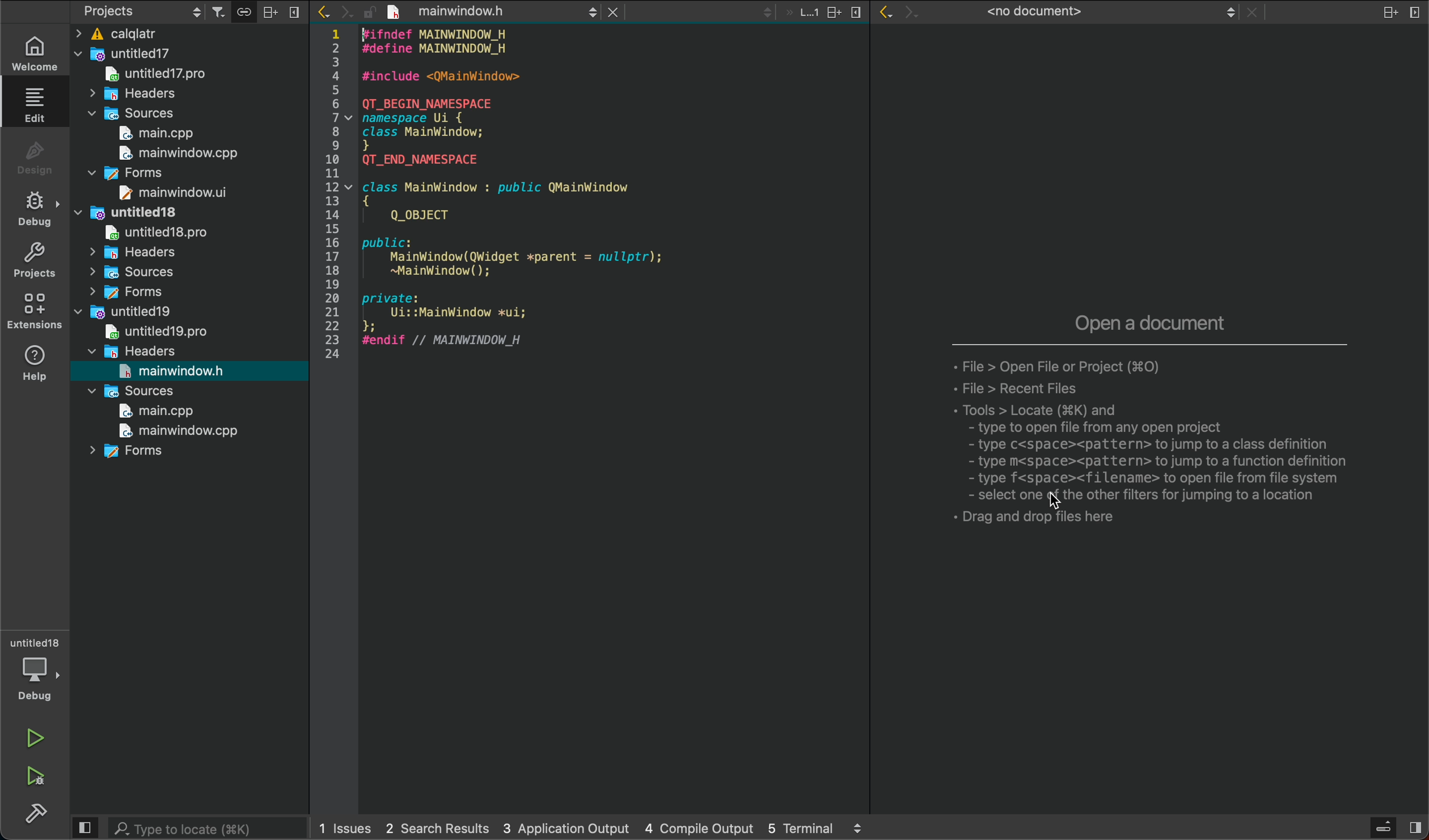 This screenshot has height=840, width=1429. What do you see at coordinates (139, 12) in the screenshot?
I see `projects` at bounding box center [139, 12].